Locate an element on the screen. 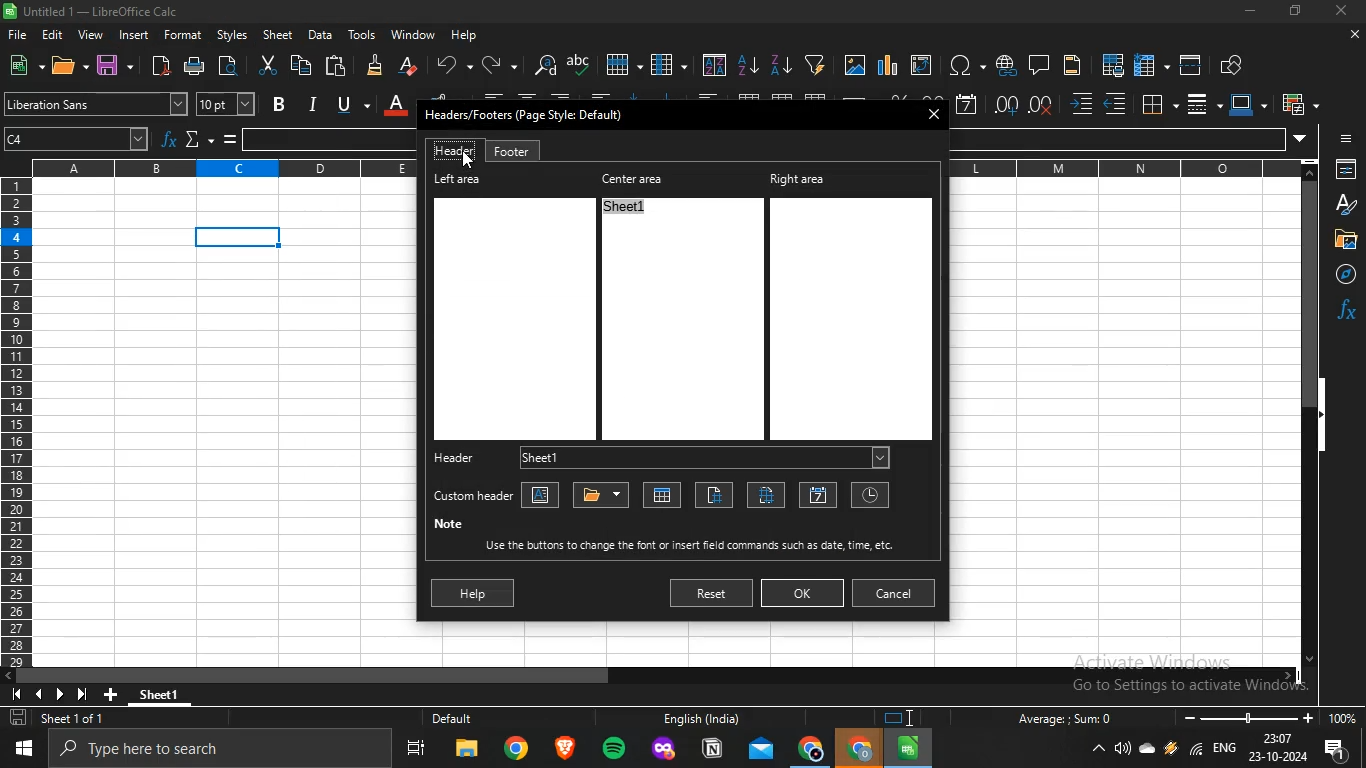 This screenshot has width=1366, height=768. tools is located at coordinates (362, 35).